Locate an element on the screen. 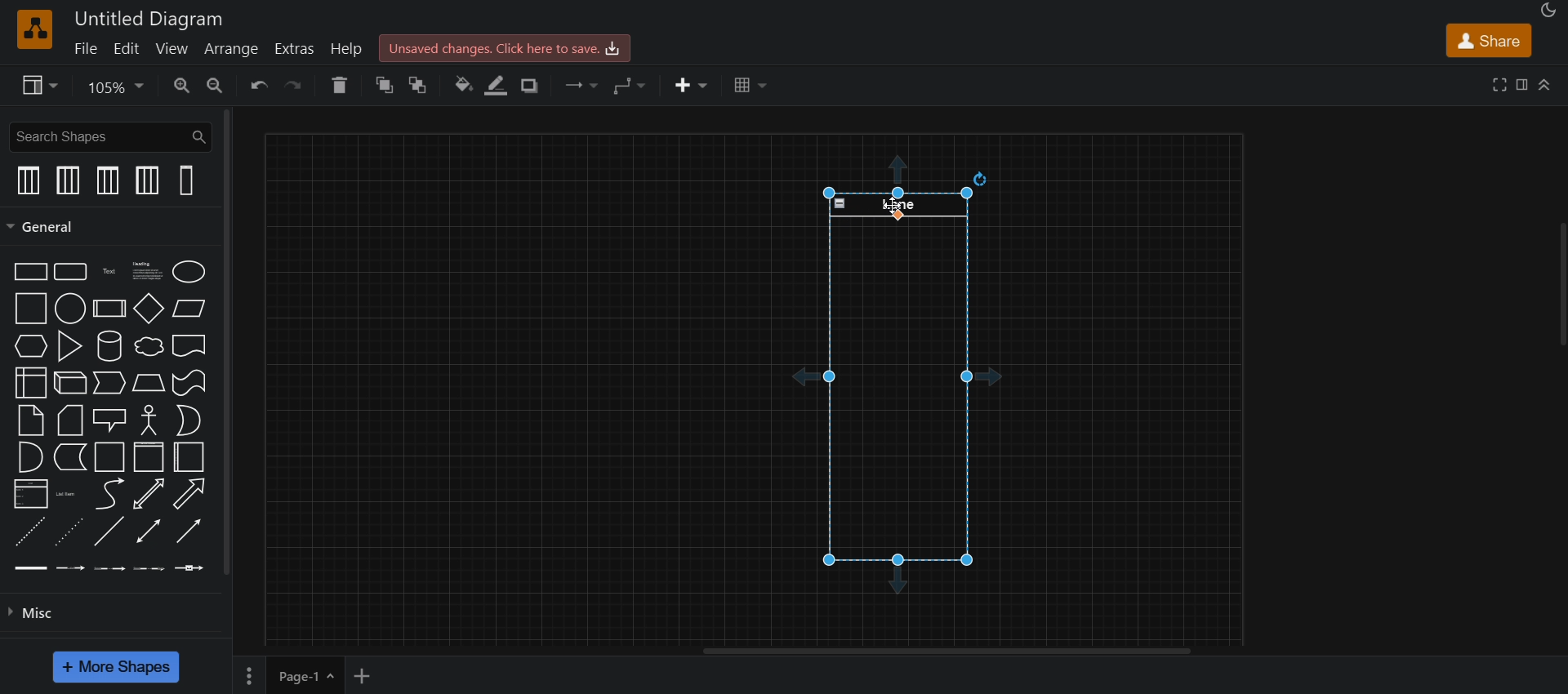 This screenshot has height=694, width=1568. share is located at coordinates (1488, 39).